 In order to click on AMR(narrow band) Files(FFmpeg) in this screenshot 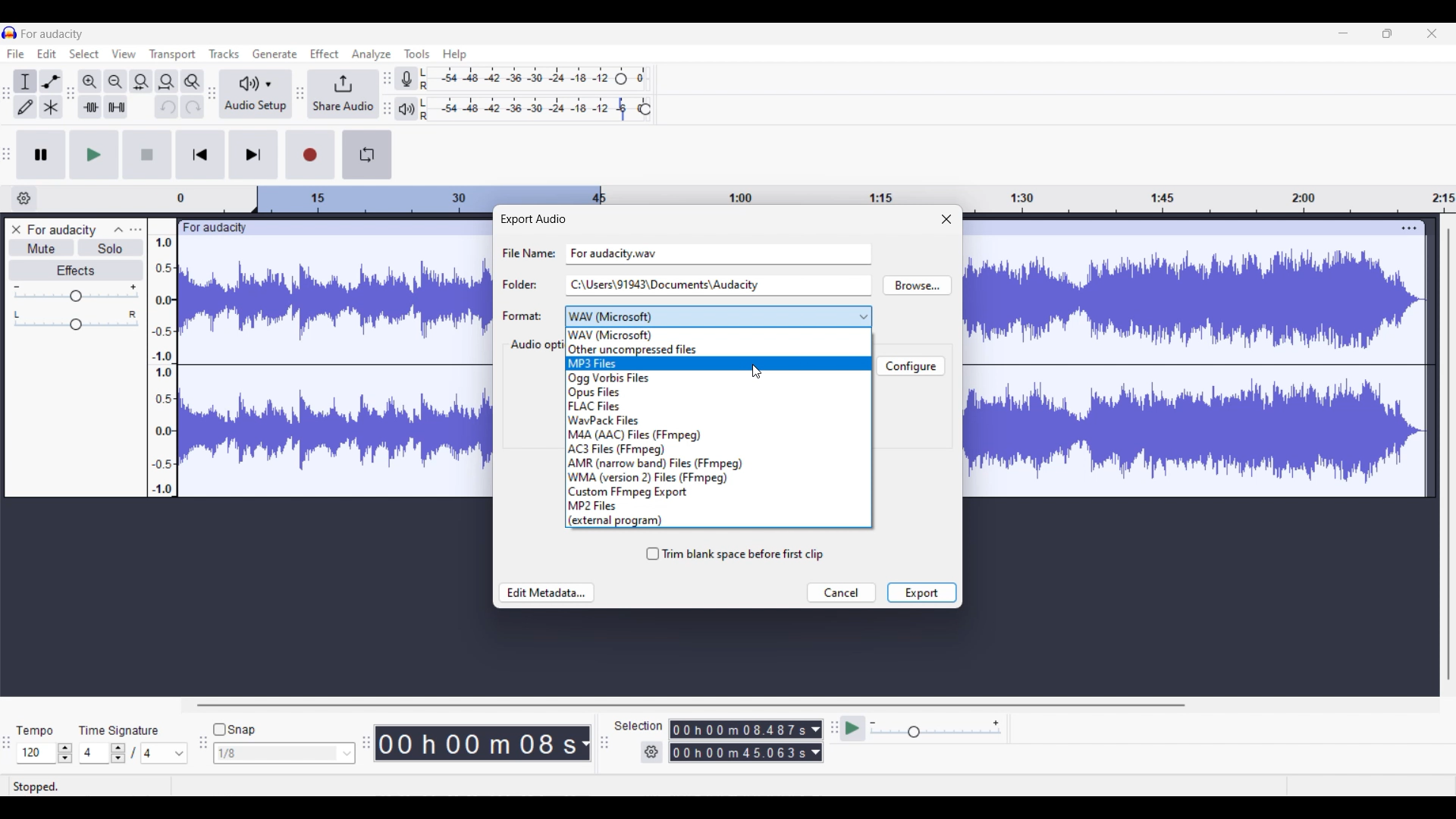, I will do `click(718, 463)`.